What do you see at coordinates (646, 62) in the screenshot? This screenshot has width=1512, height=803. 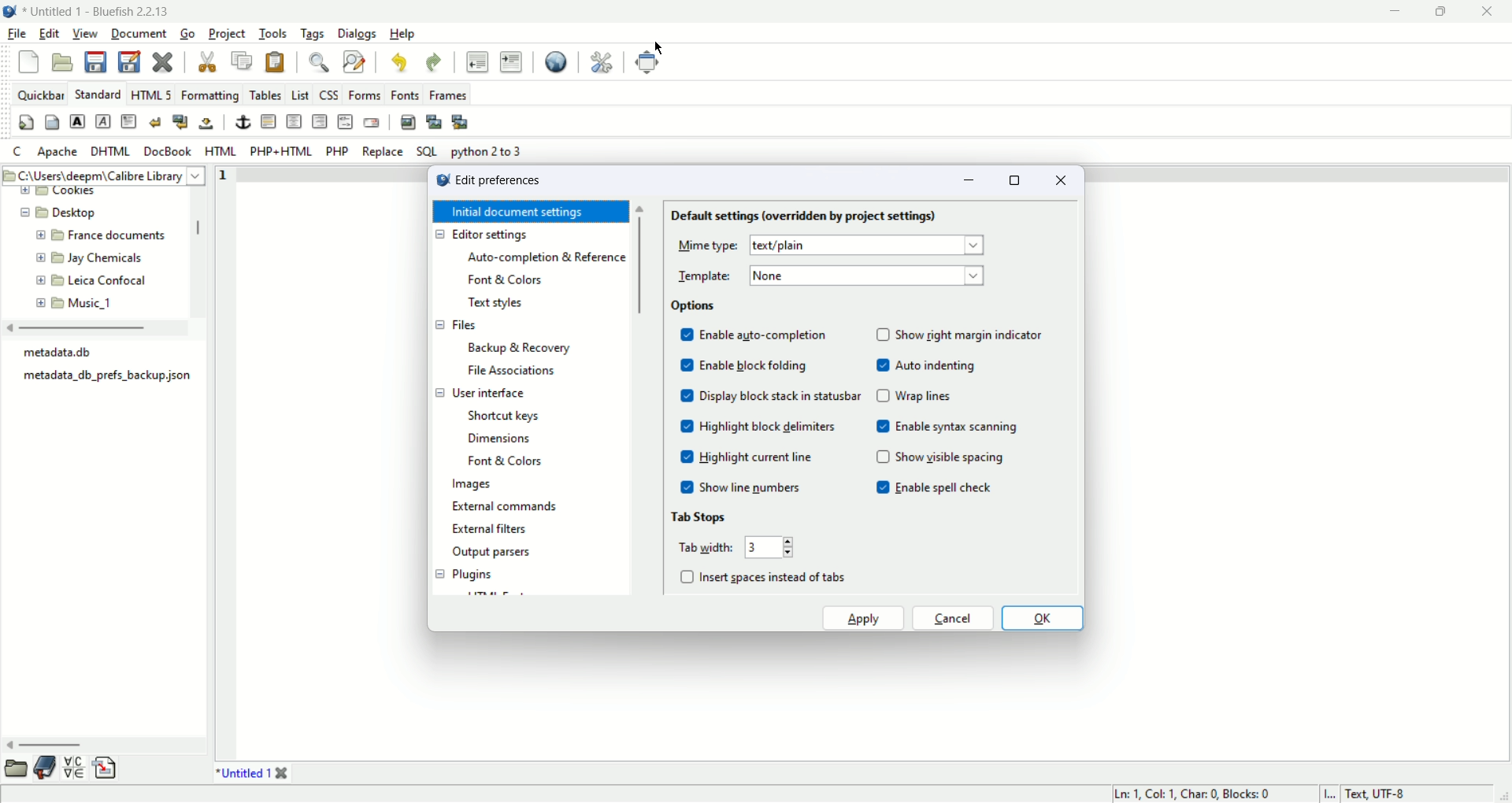 I see `fullscreen` at bounding box center [646, 62].